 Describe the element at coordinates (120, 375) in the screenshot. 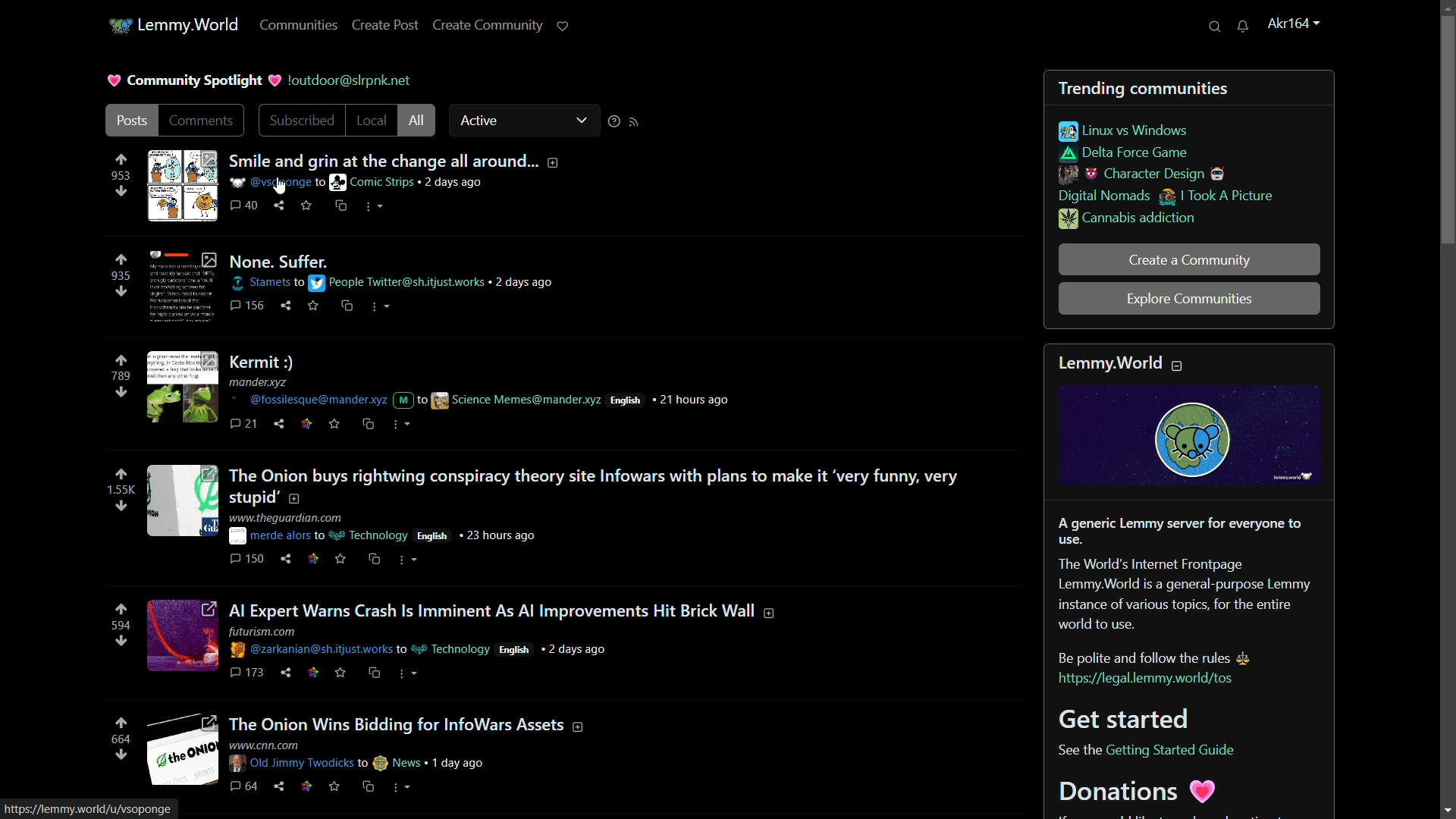

I see `number of votes` at that location.